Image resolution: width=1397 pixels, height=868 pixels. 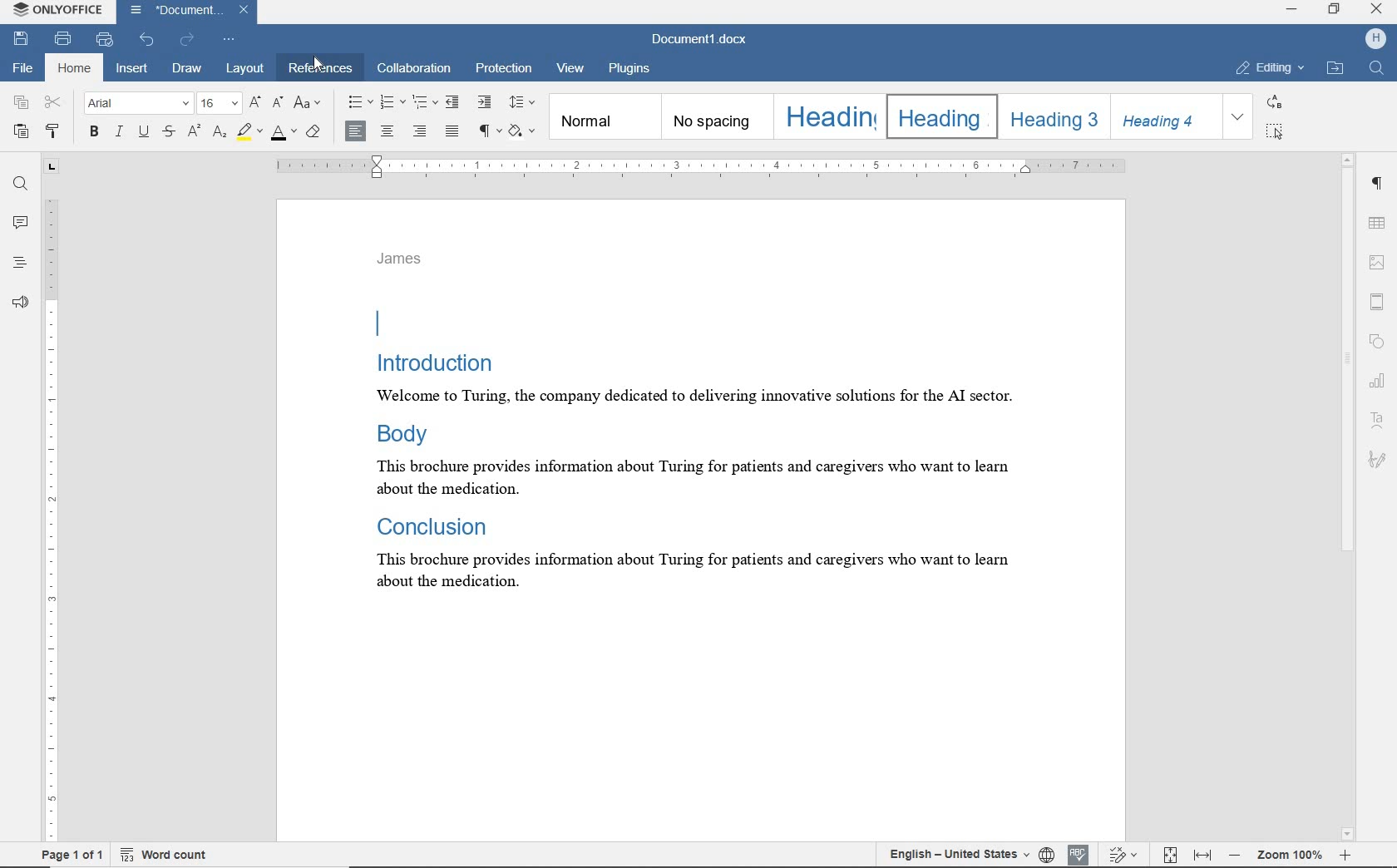 What do you see at coordinates (131, 68) in the screenshot?
I see `insert` at bounding box center [131, 68].